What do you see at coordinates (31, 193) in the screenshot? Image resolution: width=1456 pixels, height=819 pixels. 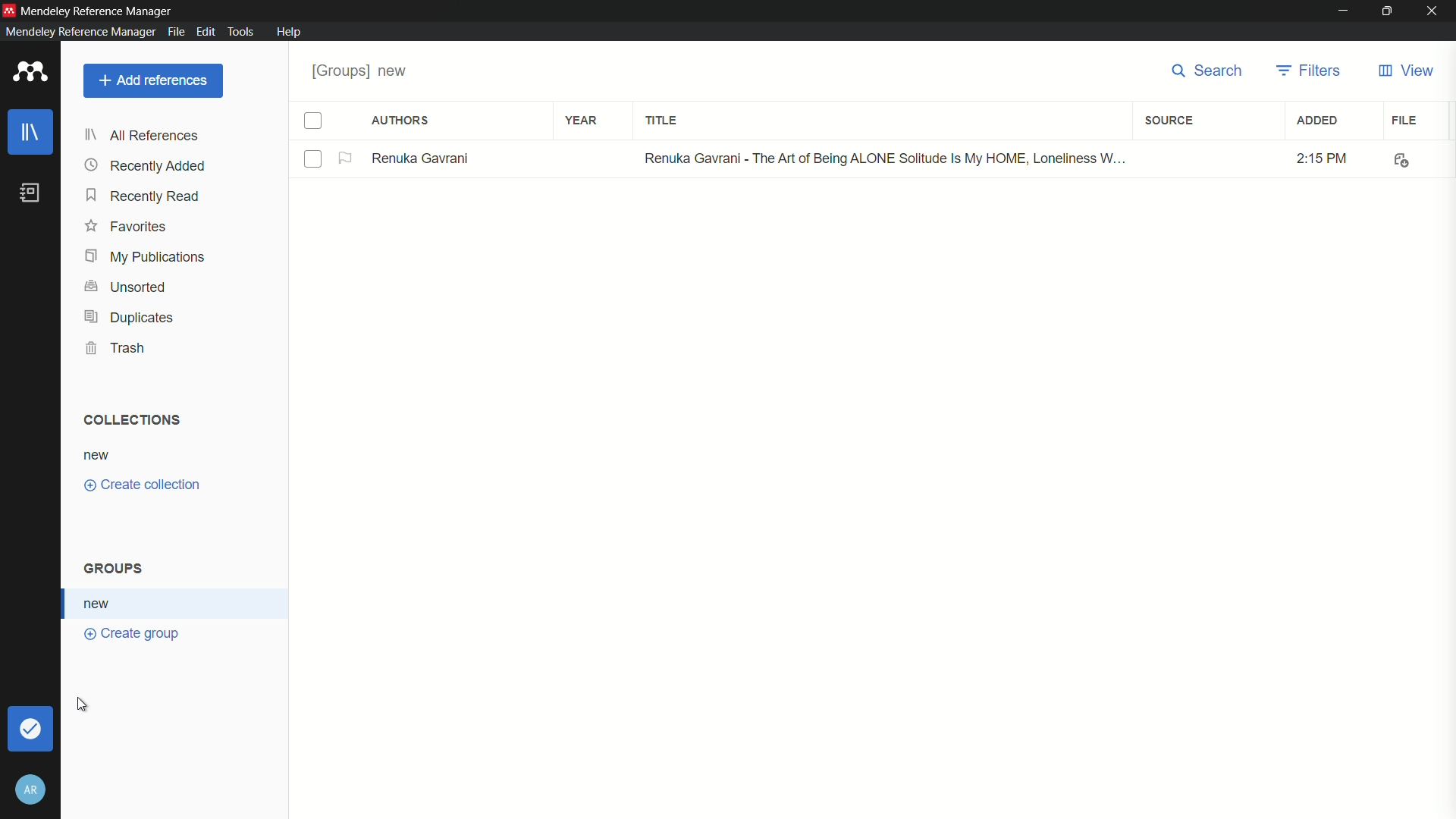 I see `book` at bounding box center [31, 193].